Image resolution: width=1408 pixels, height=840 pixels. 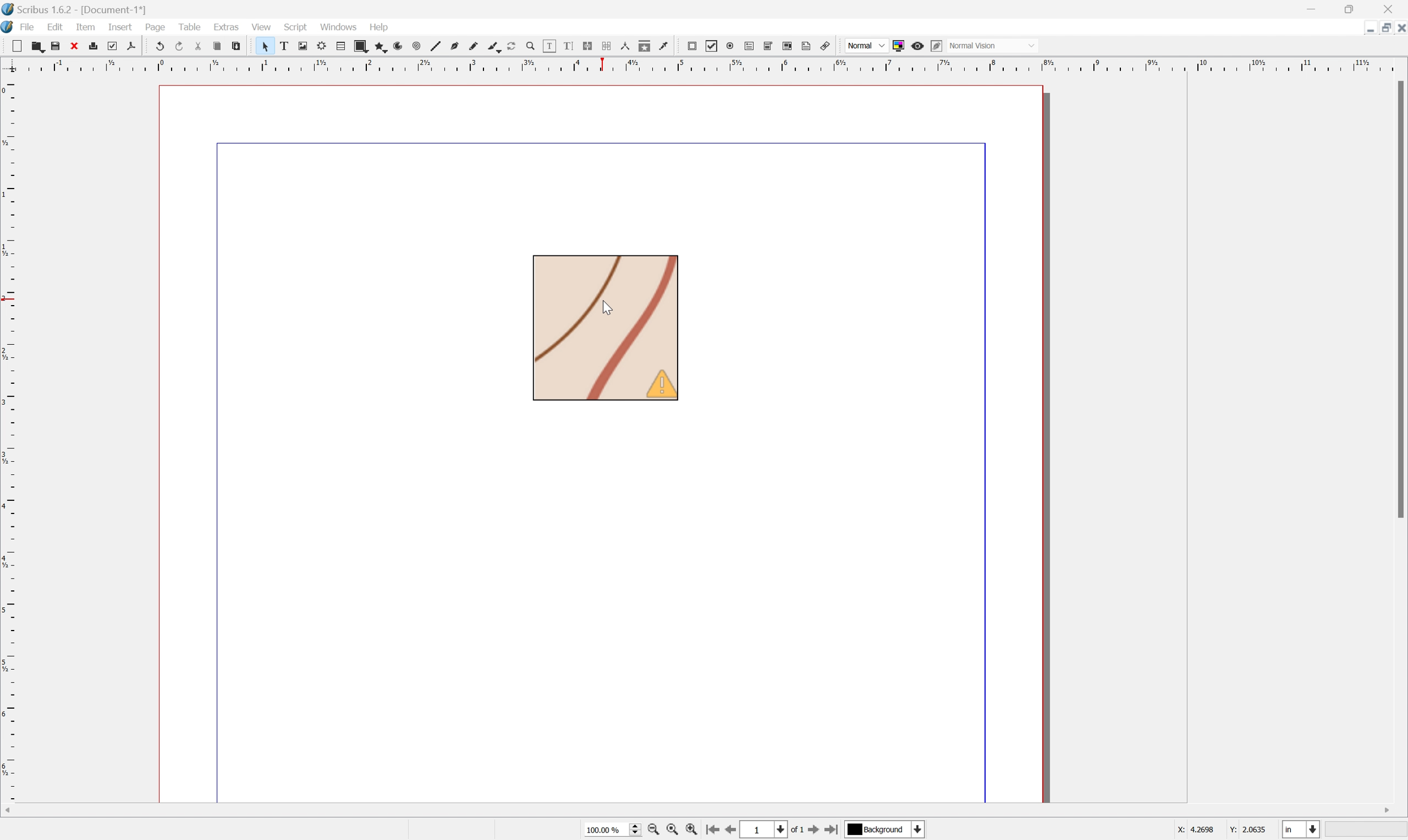 I want to click on Cut, so click(x=203, y=48).